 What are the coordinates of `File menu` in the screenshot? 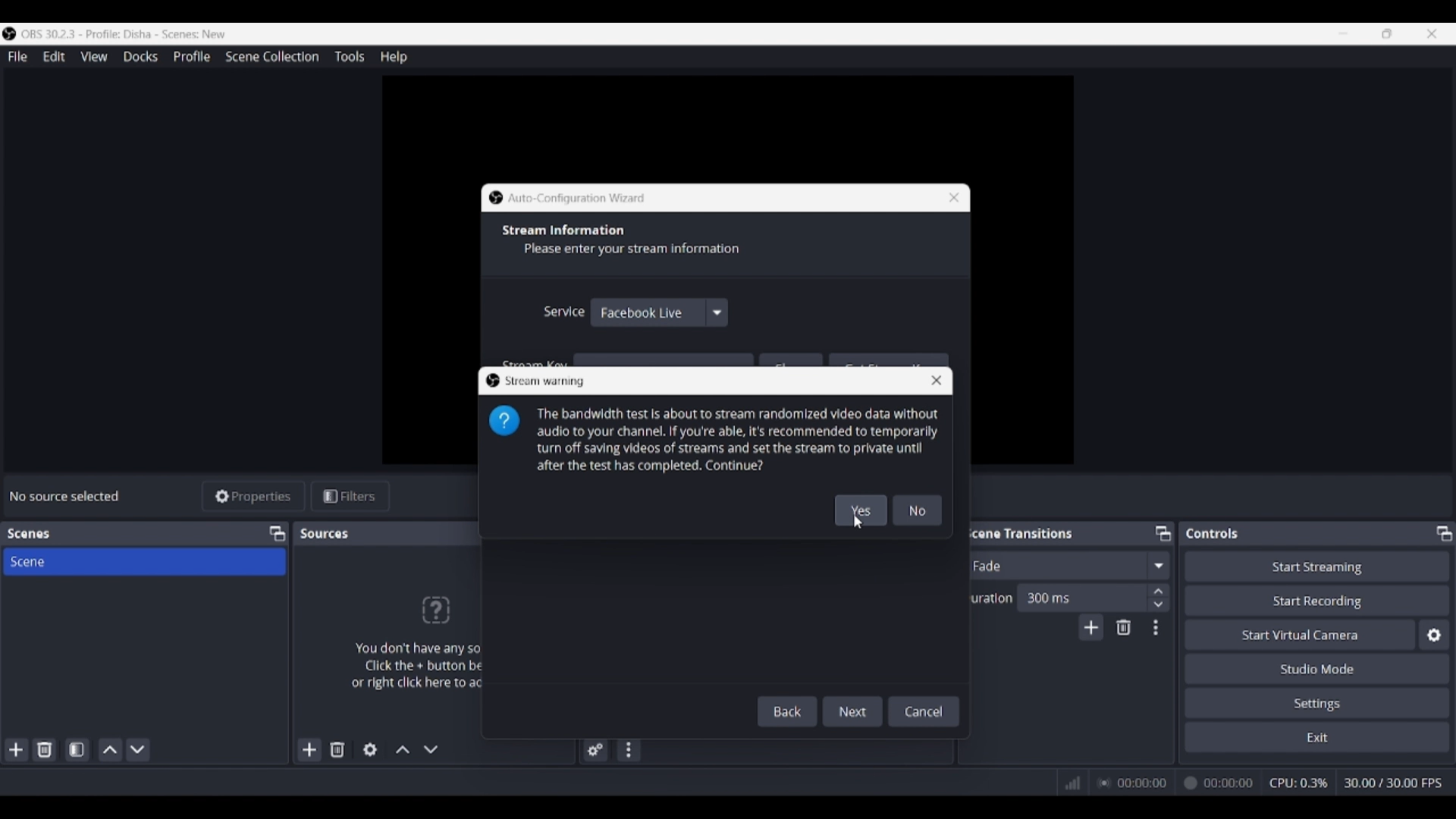 It's located at (17, 56).